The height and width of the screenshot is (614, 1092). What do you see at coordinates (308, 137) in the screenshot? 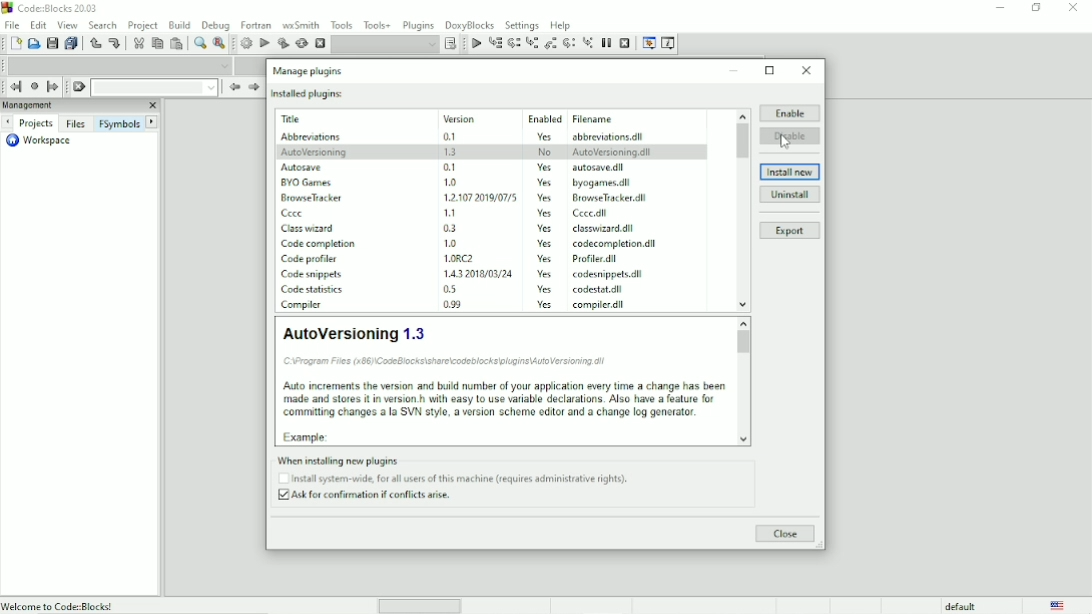
I see `Abbreviations` at bounding box center [308, 137].